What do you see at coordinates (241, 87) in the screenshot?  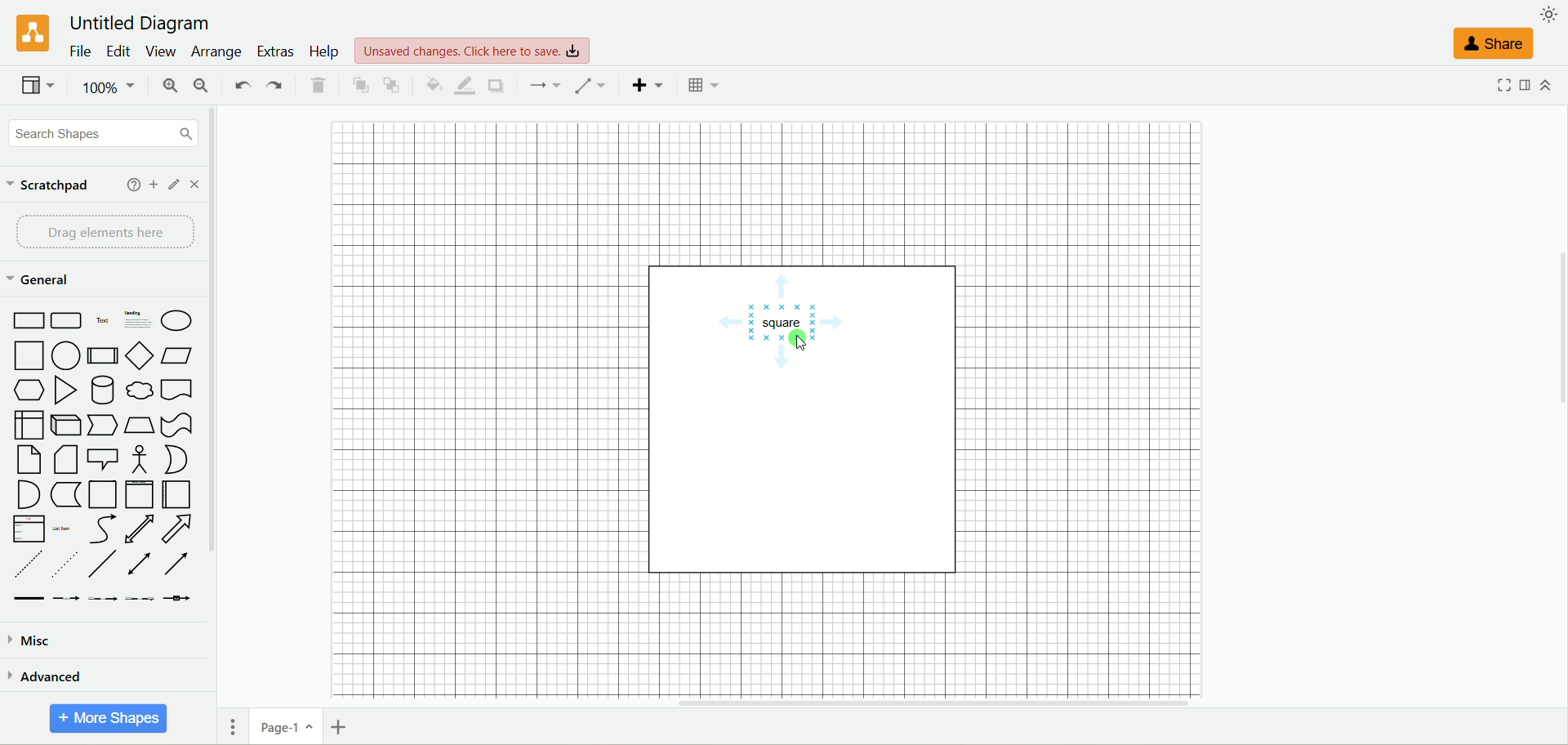 I see `undo` at bounding box center [241, 87].